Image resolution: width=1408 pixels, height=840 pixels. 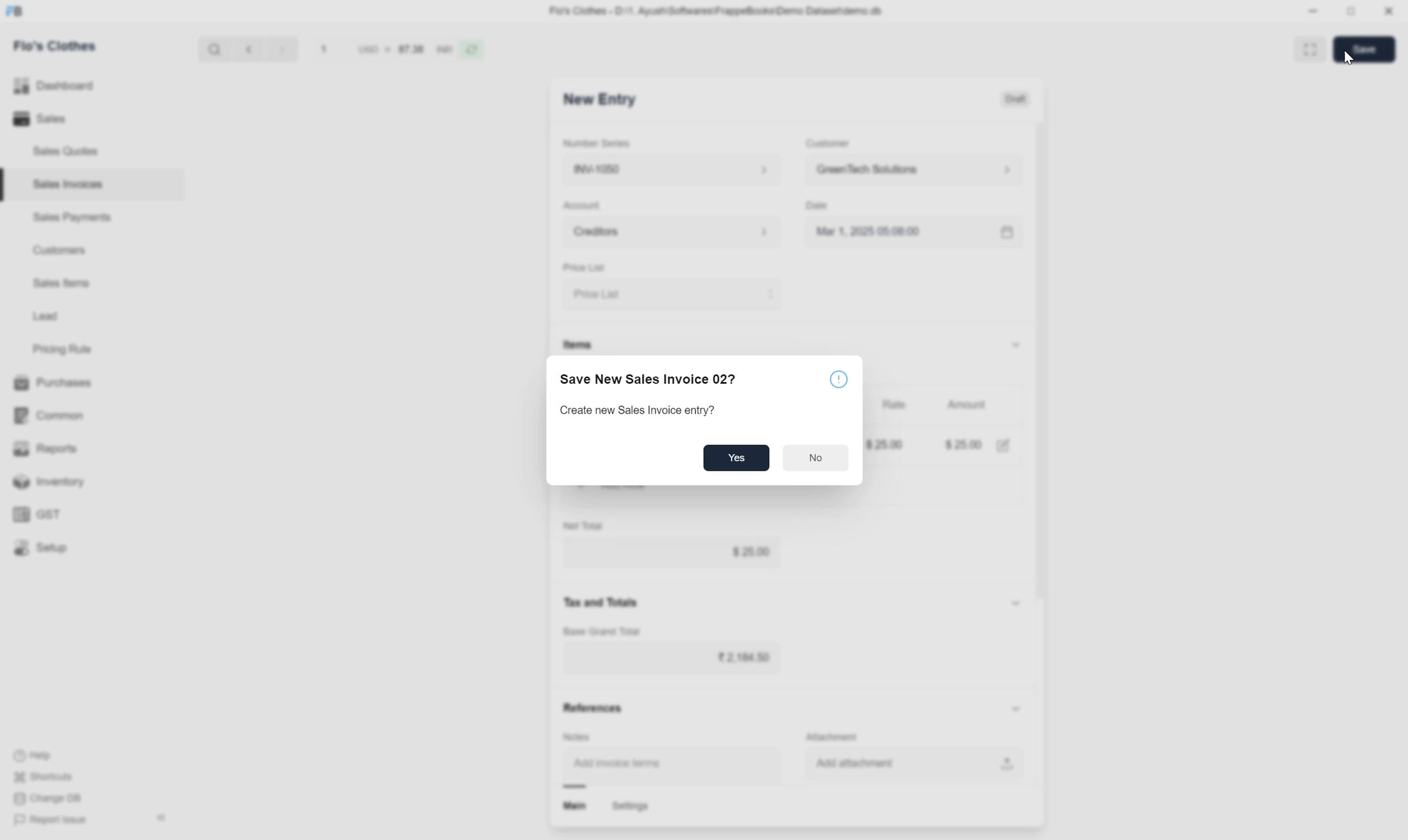 What do you see at coordinates (737, 458) in the screenshot?
I see `yes ` at bounding box center [737, 458].